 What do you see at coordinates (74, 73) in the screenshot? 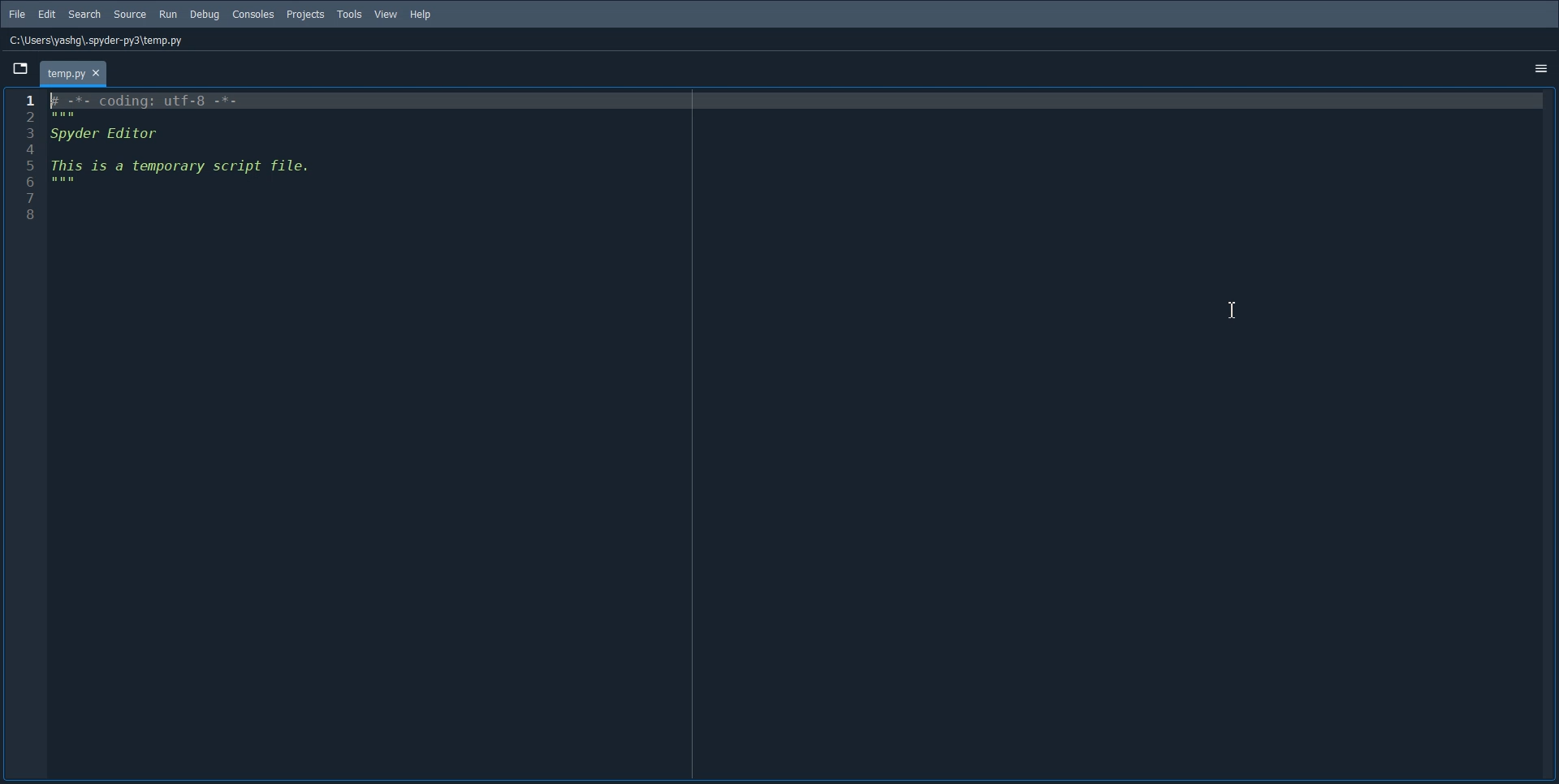
I see `Folder` at bounding box center [74, 73].